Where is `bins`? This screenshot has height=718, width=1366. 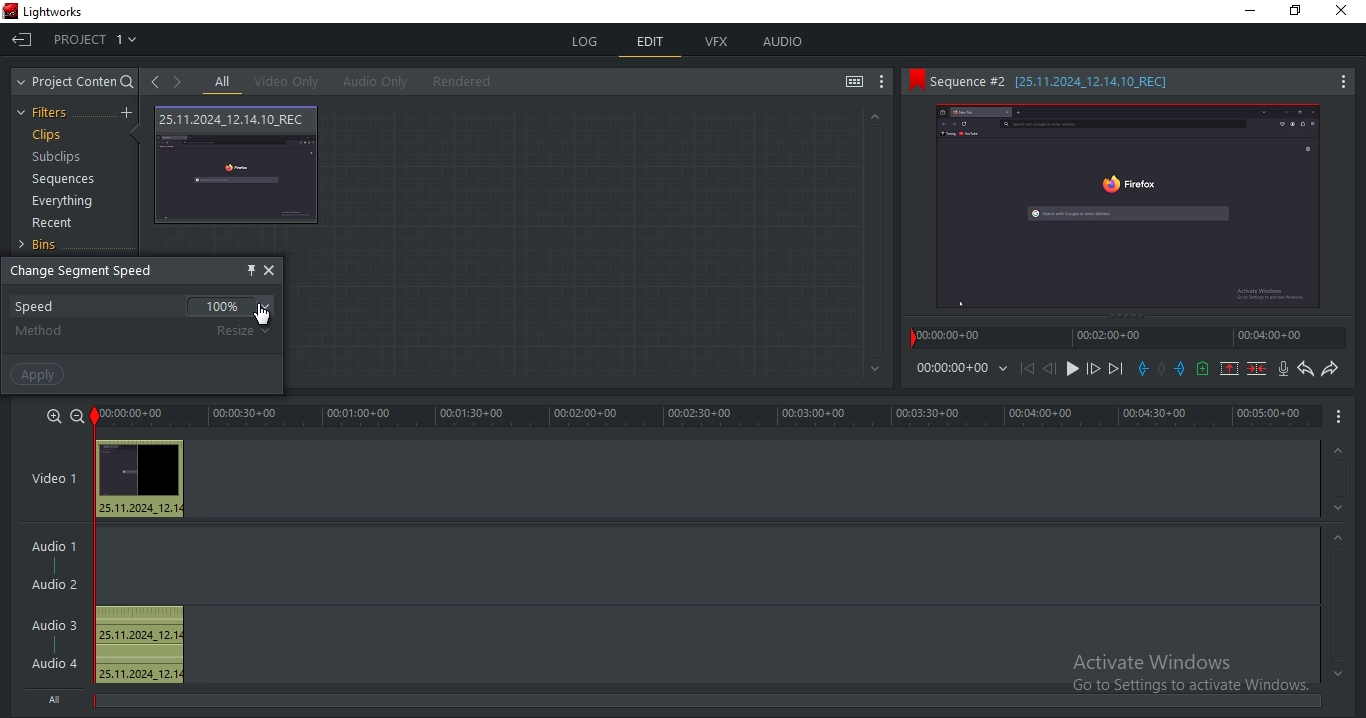
bins is located at coordinates (46, 245).